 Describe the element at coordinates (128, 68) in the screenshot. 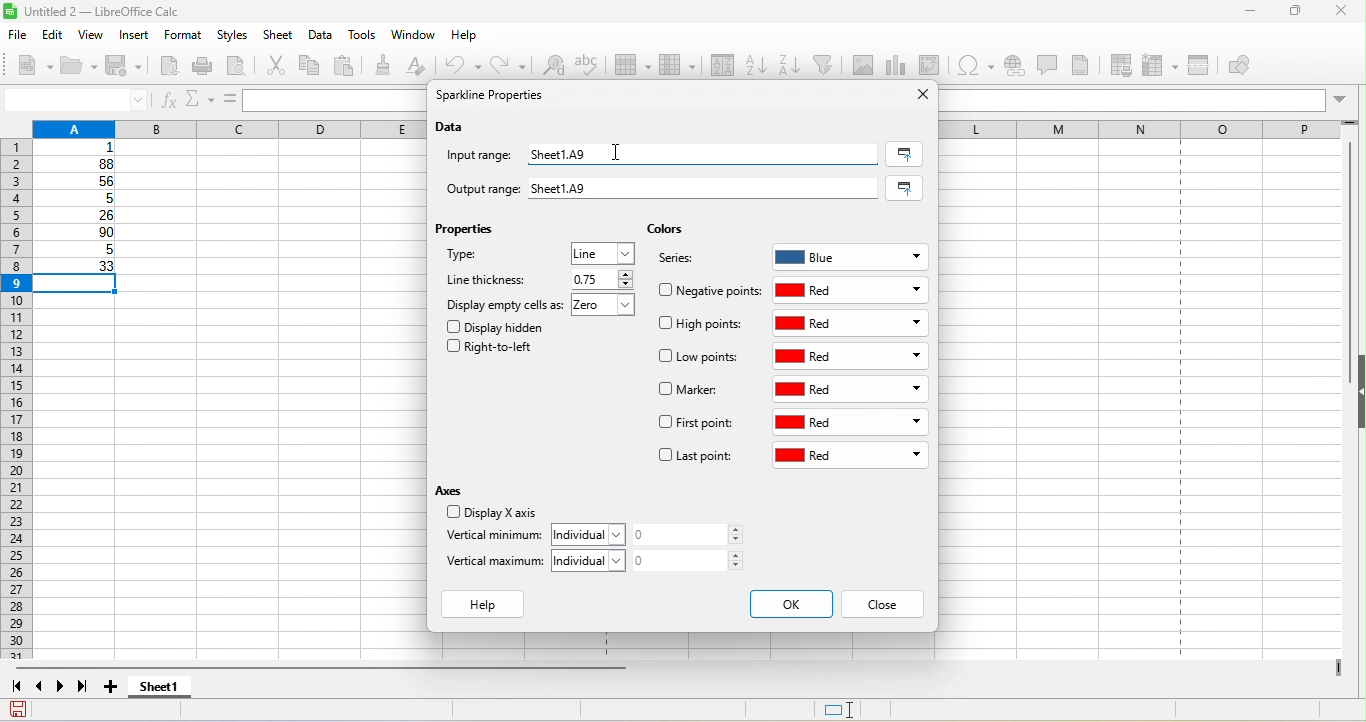

I see `save` at that location.